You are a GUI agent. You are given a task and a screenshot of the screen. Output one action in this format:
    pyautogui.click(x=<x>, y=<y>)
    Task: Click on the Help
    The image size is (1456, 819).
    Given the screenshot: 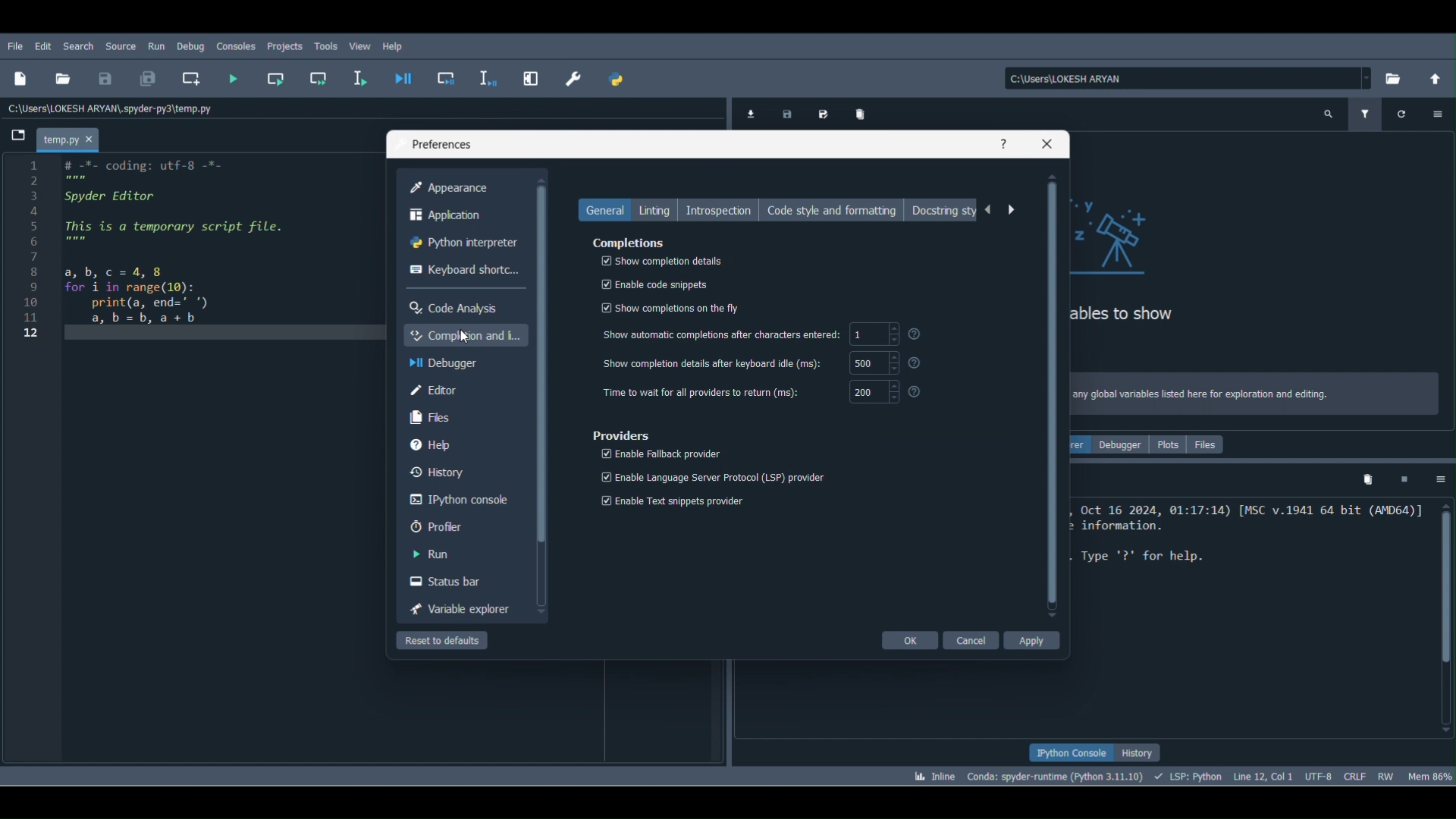 What is the action you would take?
    pyautogui.click(x=438, y=447)
    